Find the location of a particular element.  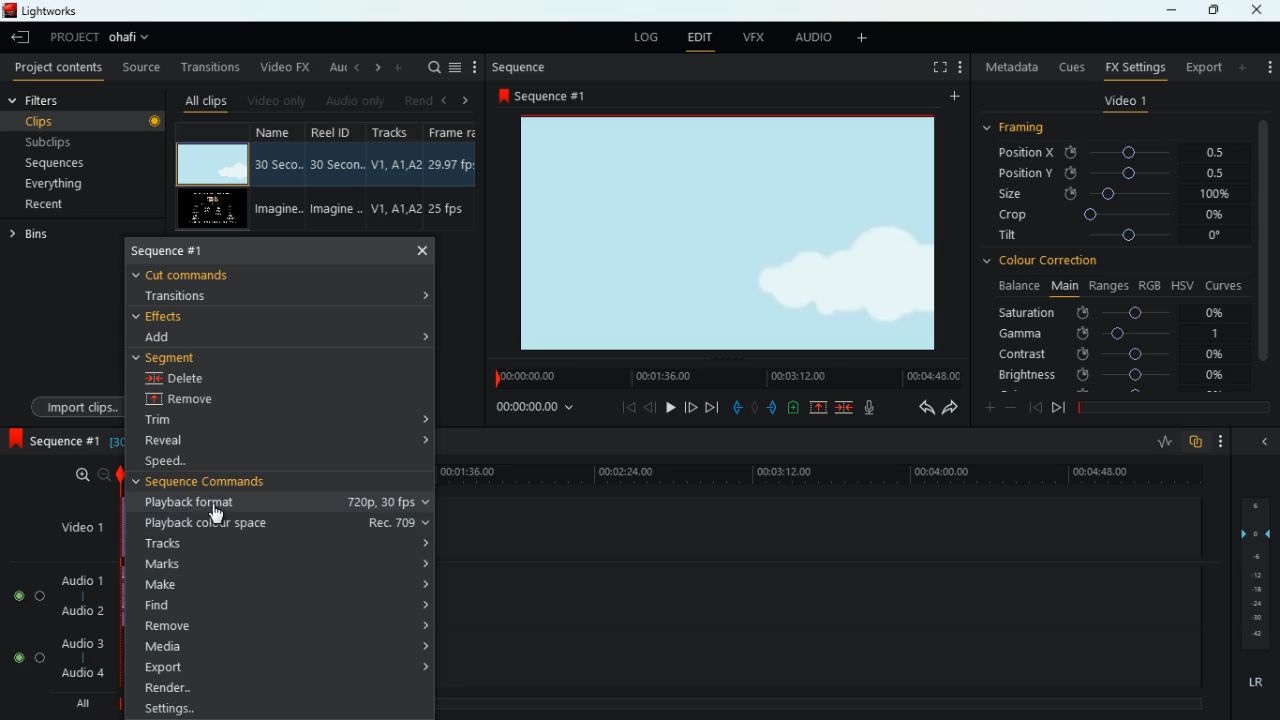

edit is located at coordinates (700, 38).